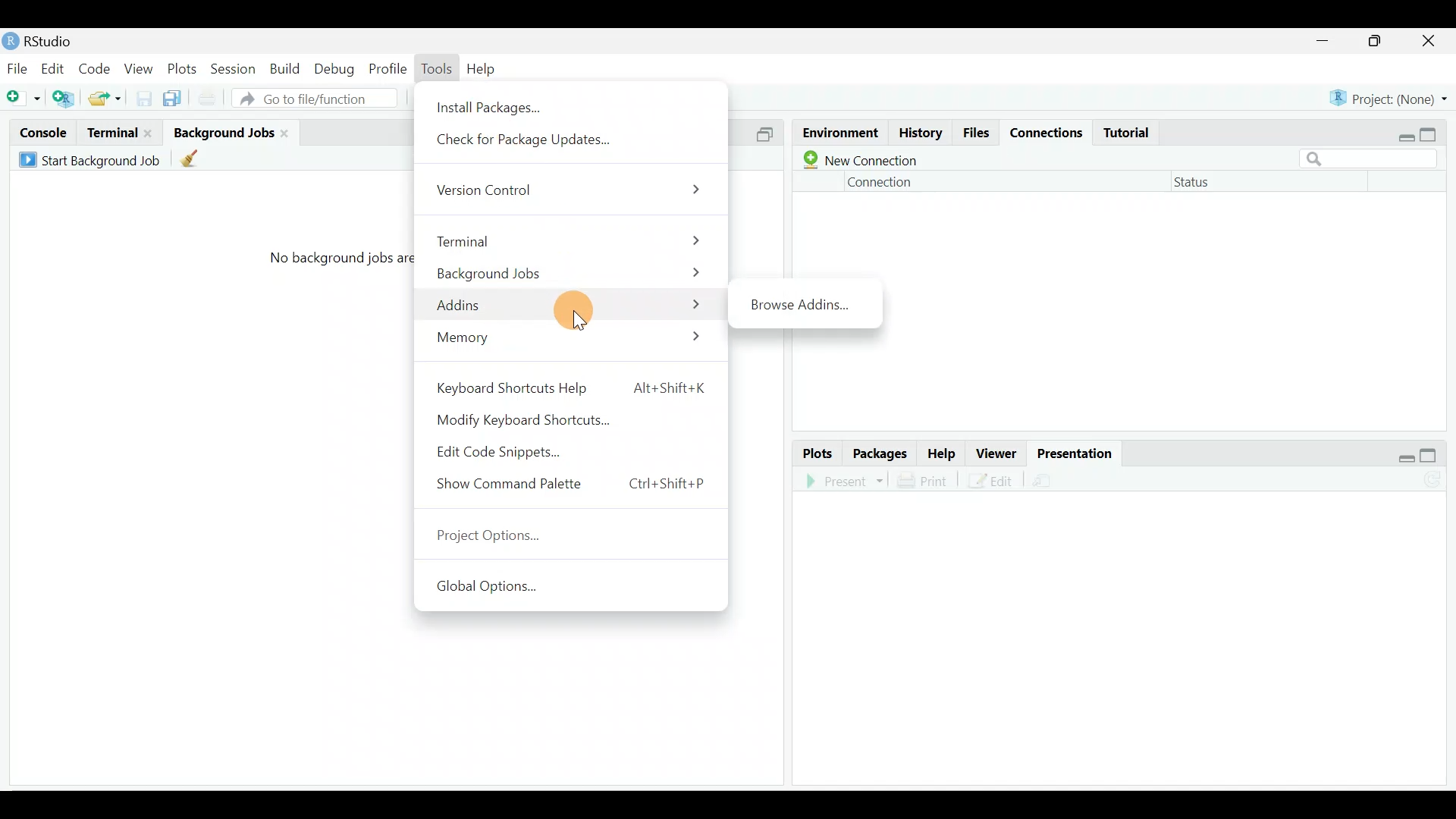 This screenshot has width=1456, height=819. Describe the element at coordinates (140, 70) in the screenshot. I see `View` at that location.